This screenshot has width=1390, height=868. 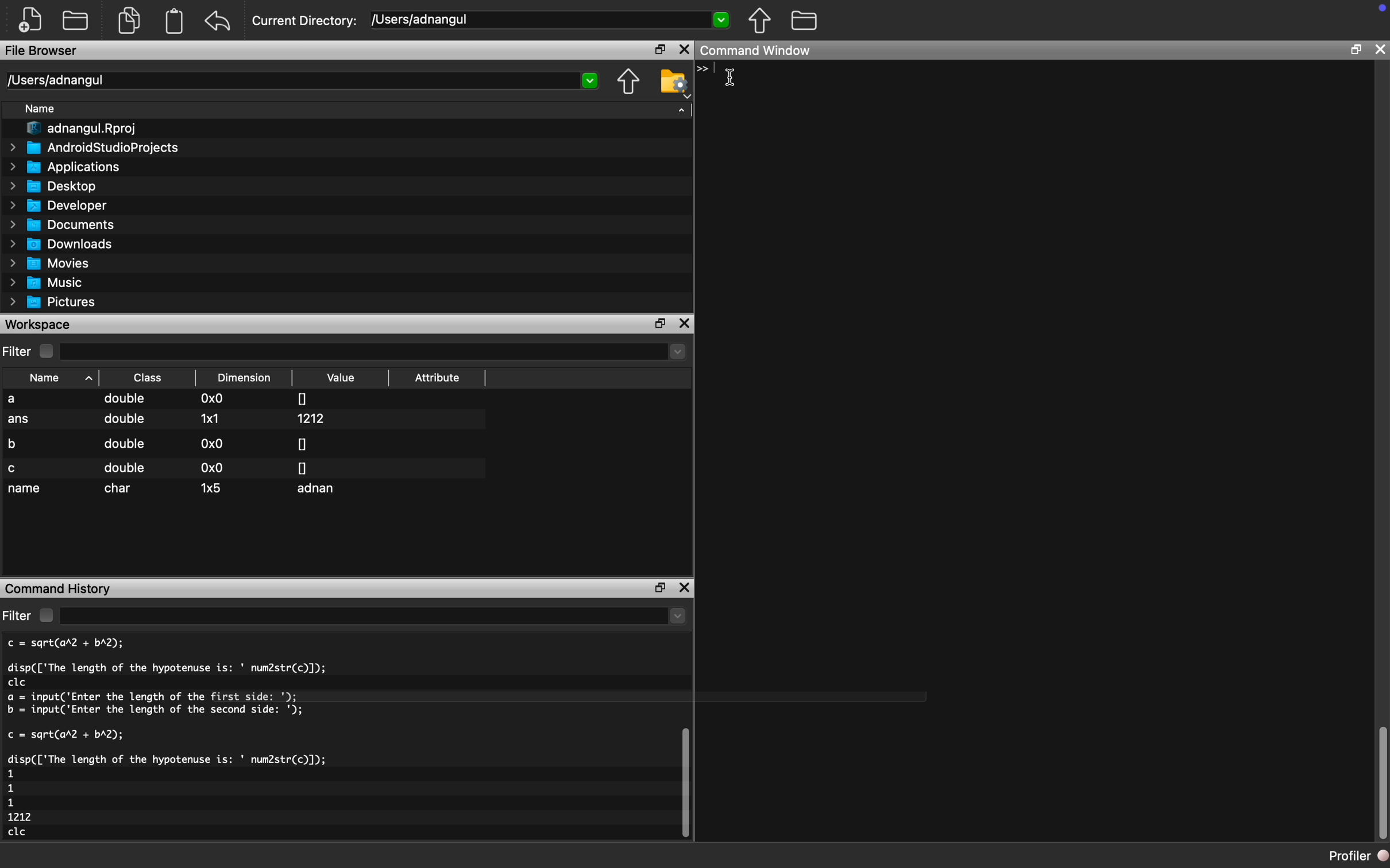 I want to click on documents, so click(x=128, y=19).